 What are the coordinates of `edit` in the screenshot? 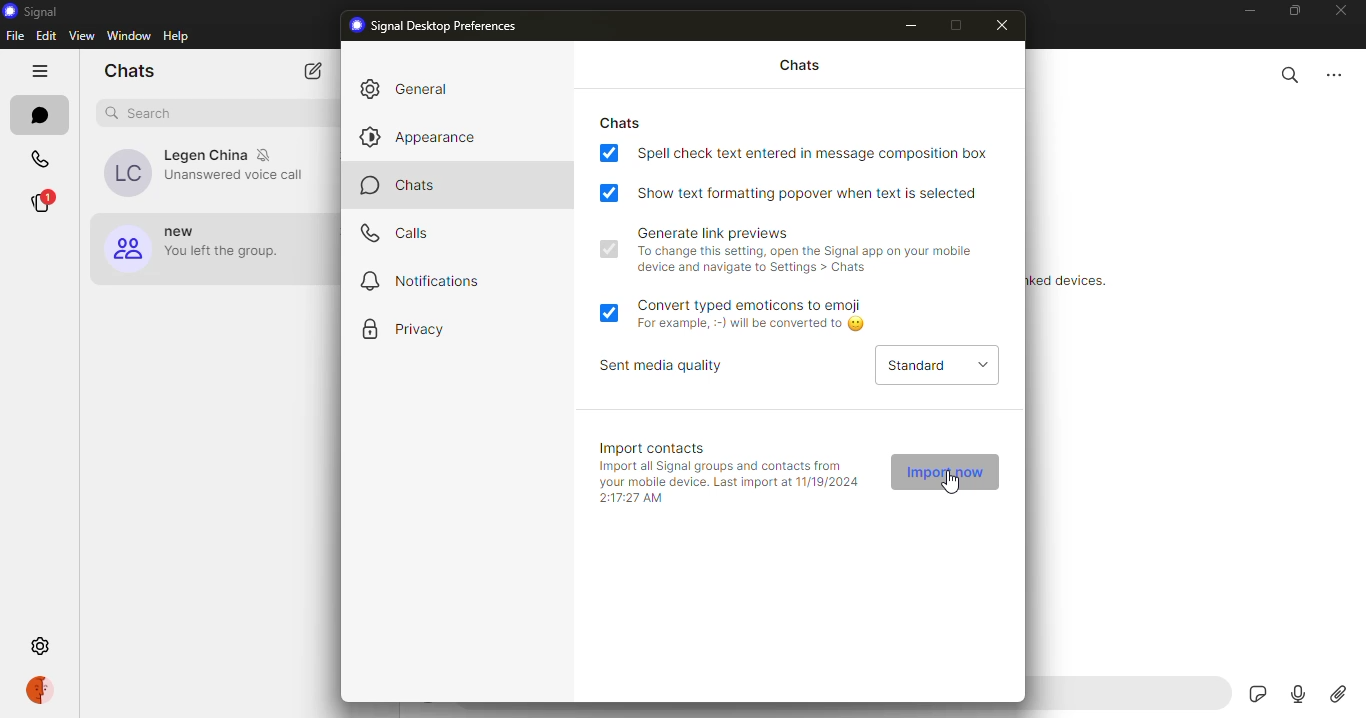 It's located at (45, 35).